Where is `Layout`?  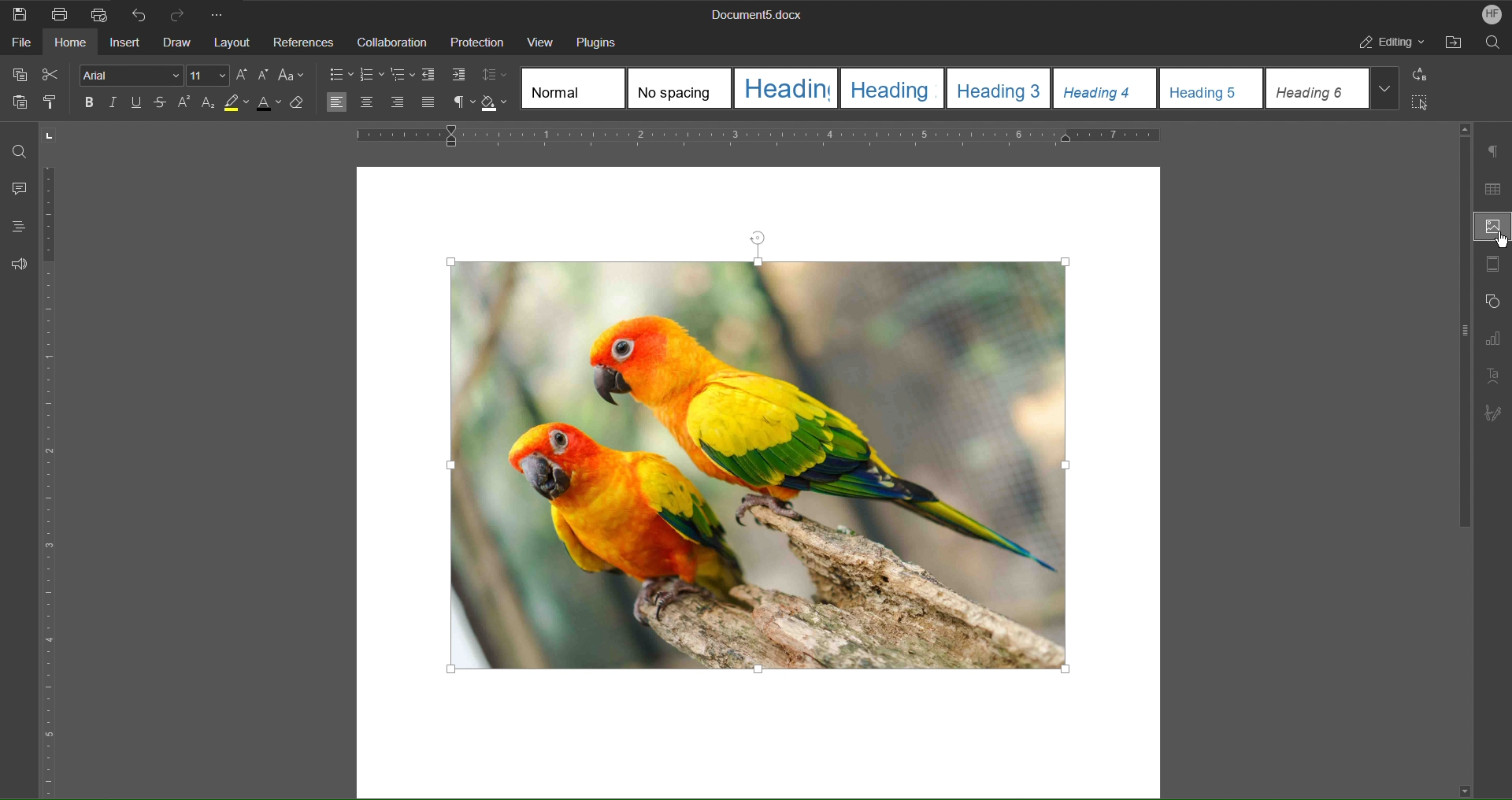
Layout is located at coordinates (234, 43).